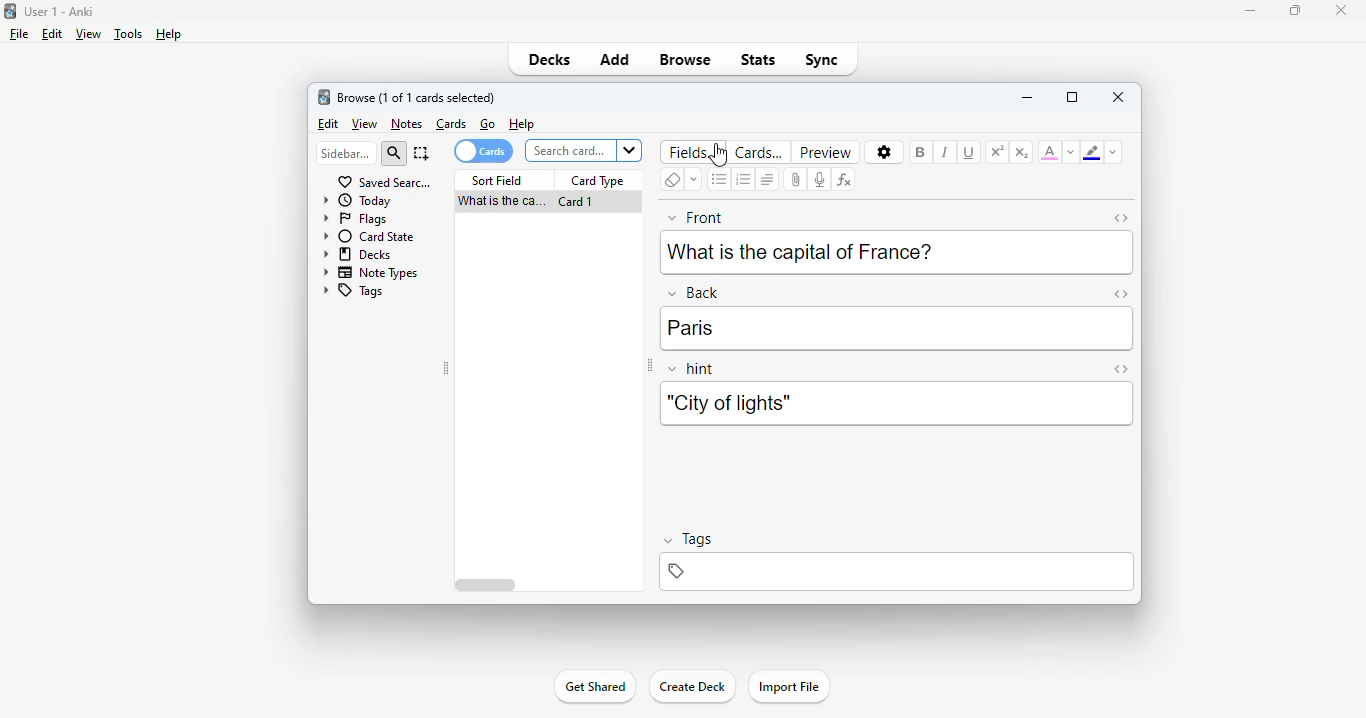  What do you see at coordinates (594, 686) in the screenshot?
I see `get shared` at bounding box center [594, 686].